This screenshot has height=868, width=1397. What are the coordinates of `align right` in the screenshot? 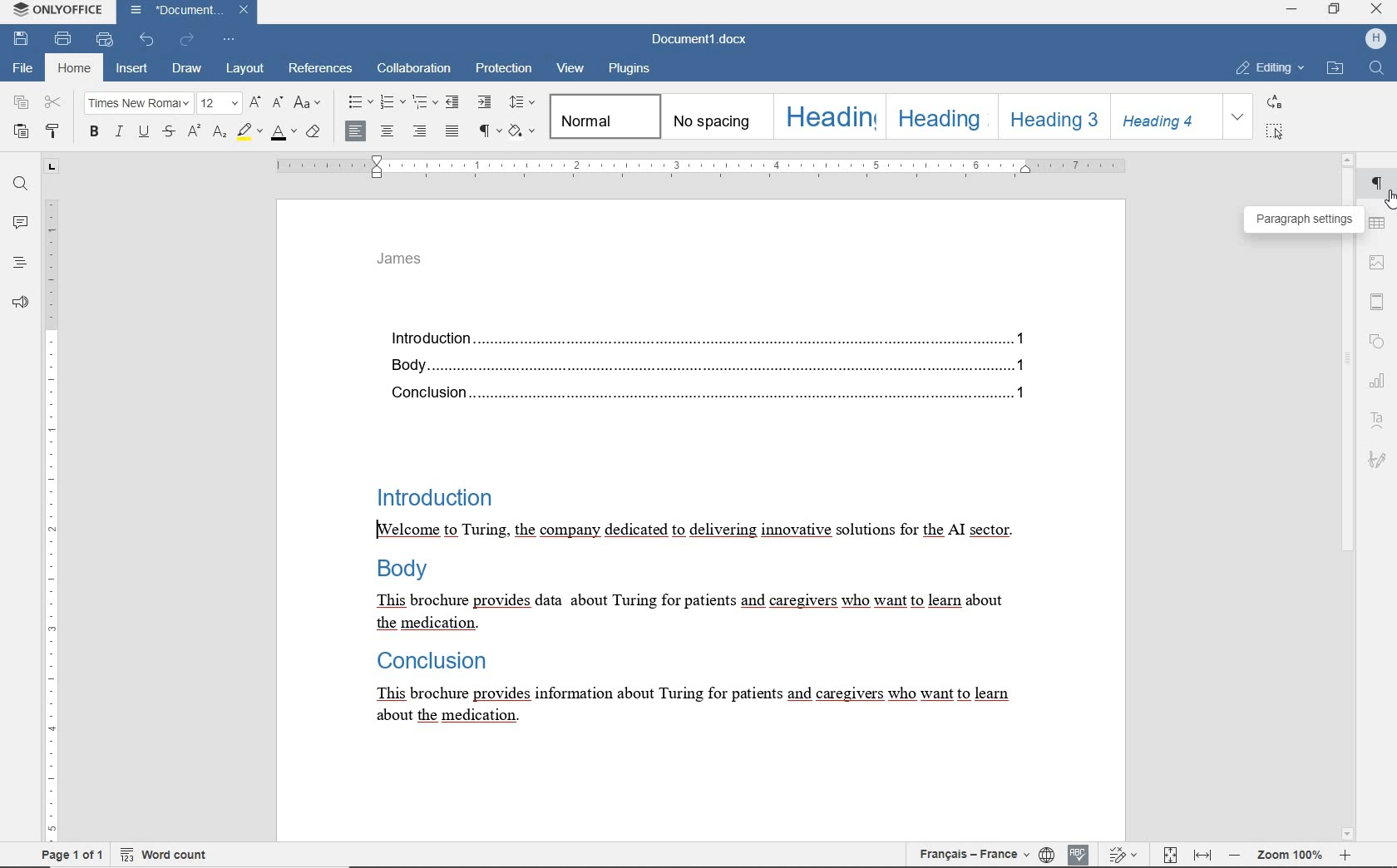 It's located at (421, 133).